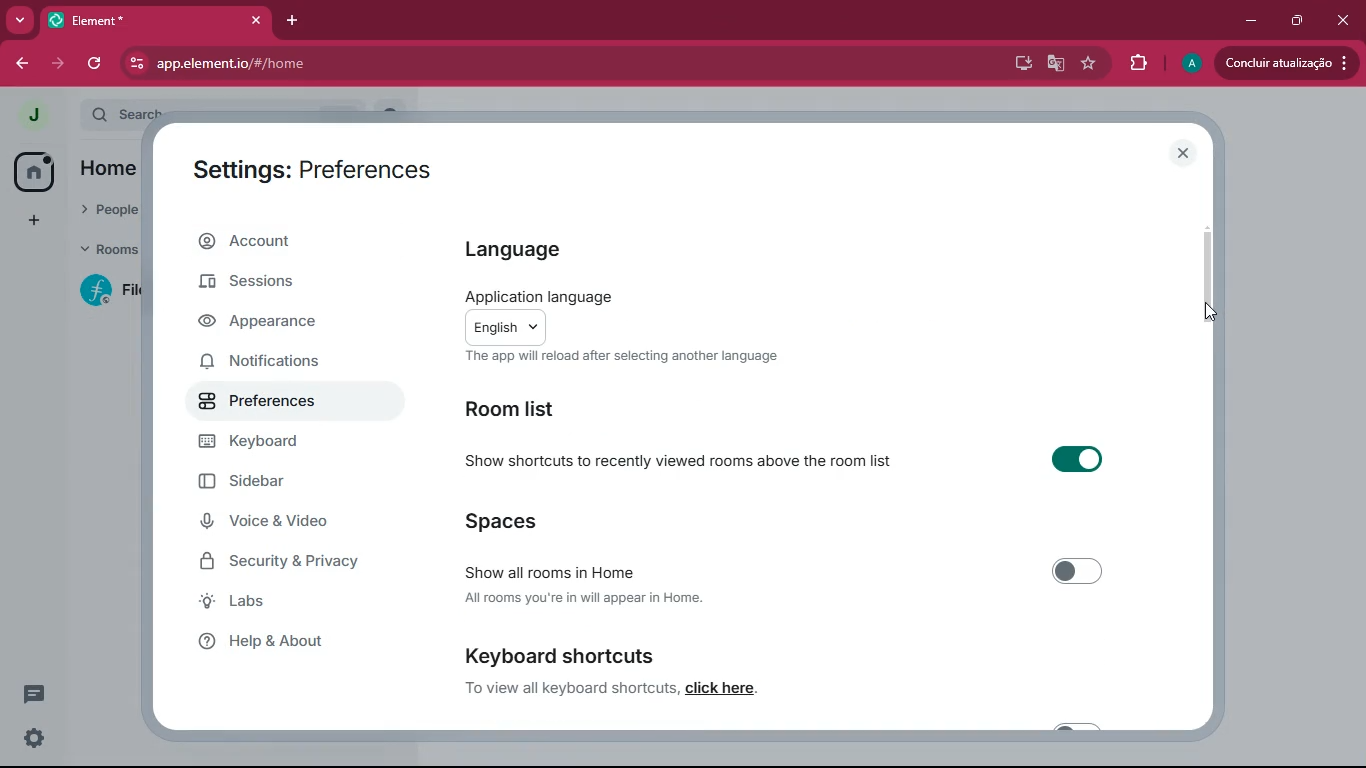 This screenshot has width=1366, height=768. I want to click on desktop, so click(1021, 64).